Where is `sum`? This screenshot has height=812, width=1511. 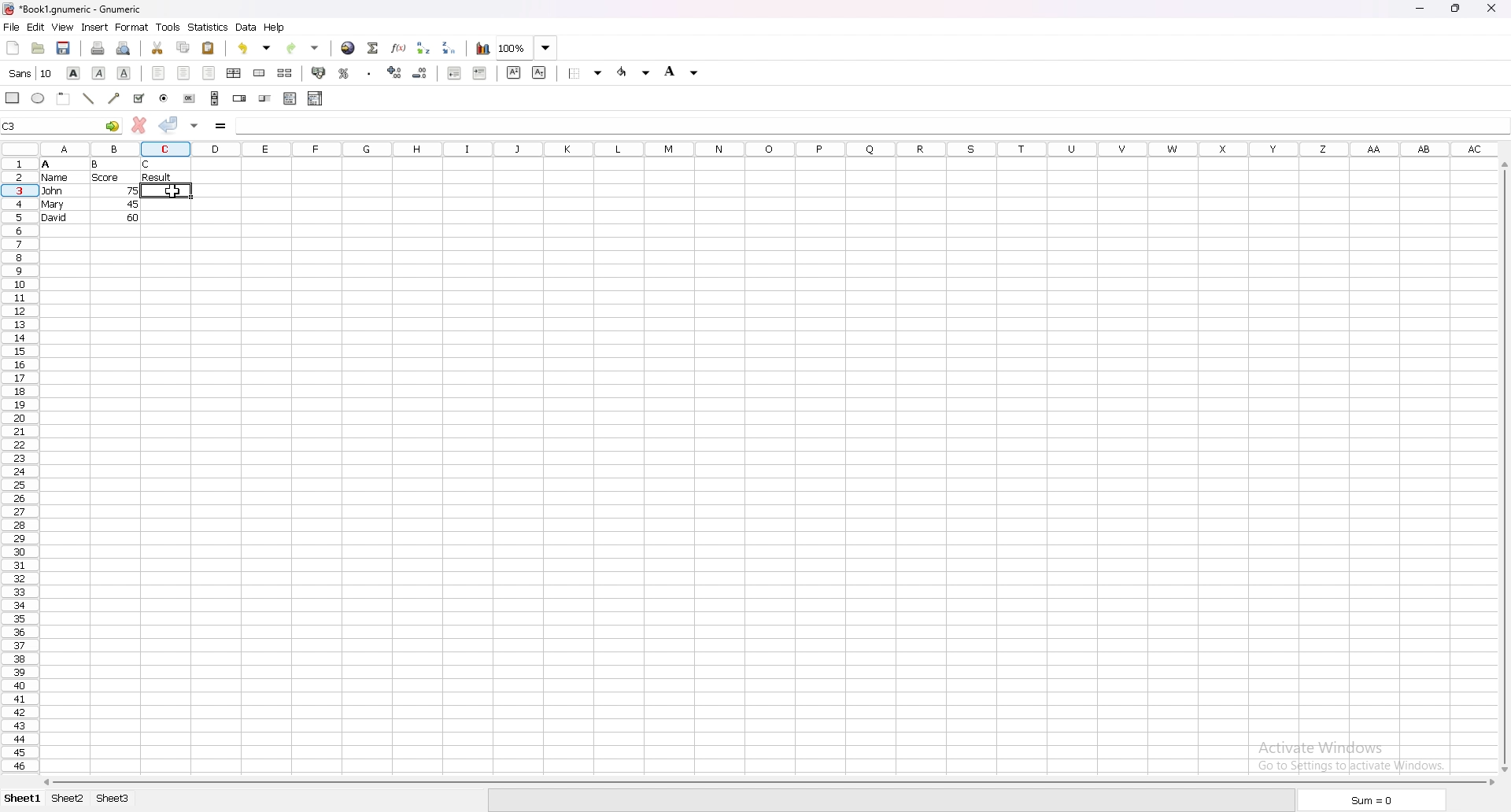
sum is located at coordinates (1376, 799).